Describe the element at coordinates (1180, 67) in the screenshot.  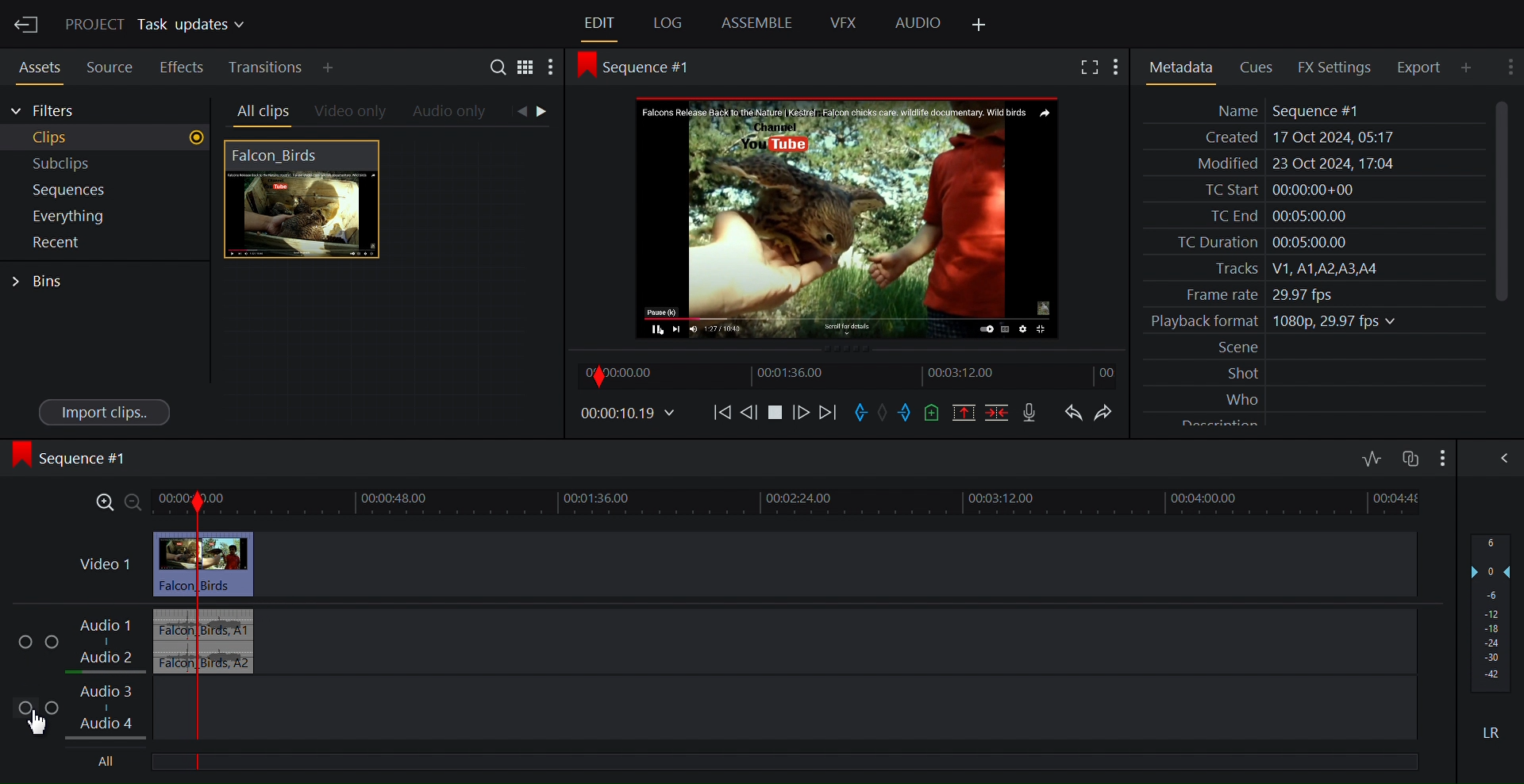
I see `Metadata Panel` at that location.